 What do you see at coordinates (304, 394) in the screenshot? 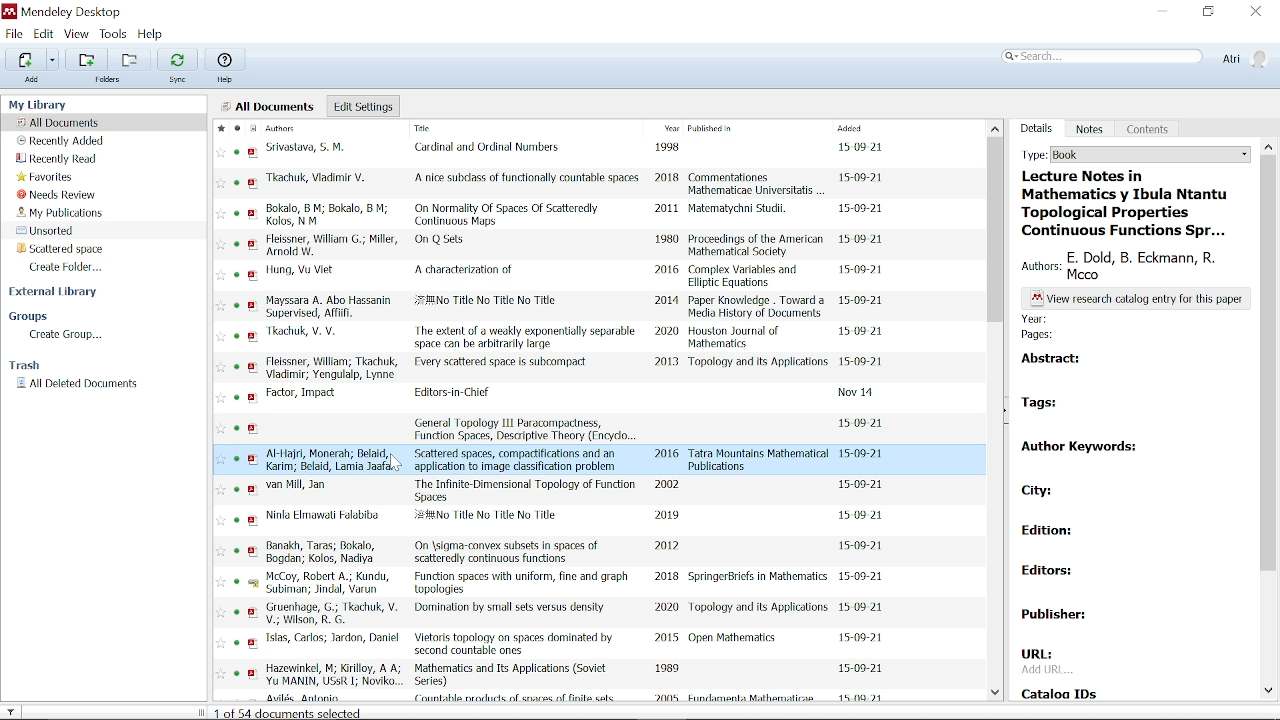
I see `authors` at bounding box center [304, 394].